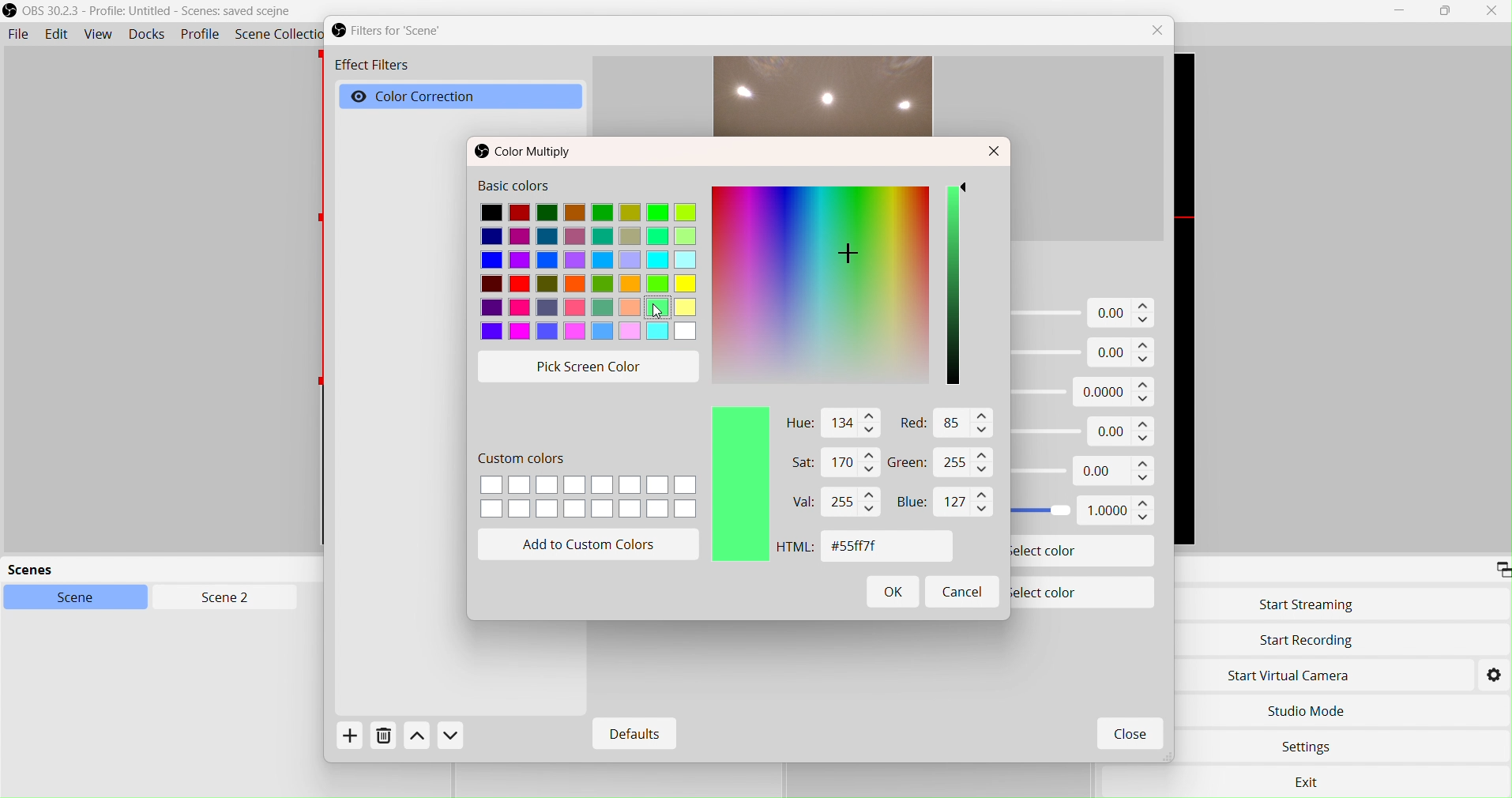 The width and height of the screenshot is (1512, 798). What do you see at coordinates (829, 423) in the screenshot?
I see `Hue 134` at bounding box center [829, 423].